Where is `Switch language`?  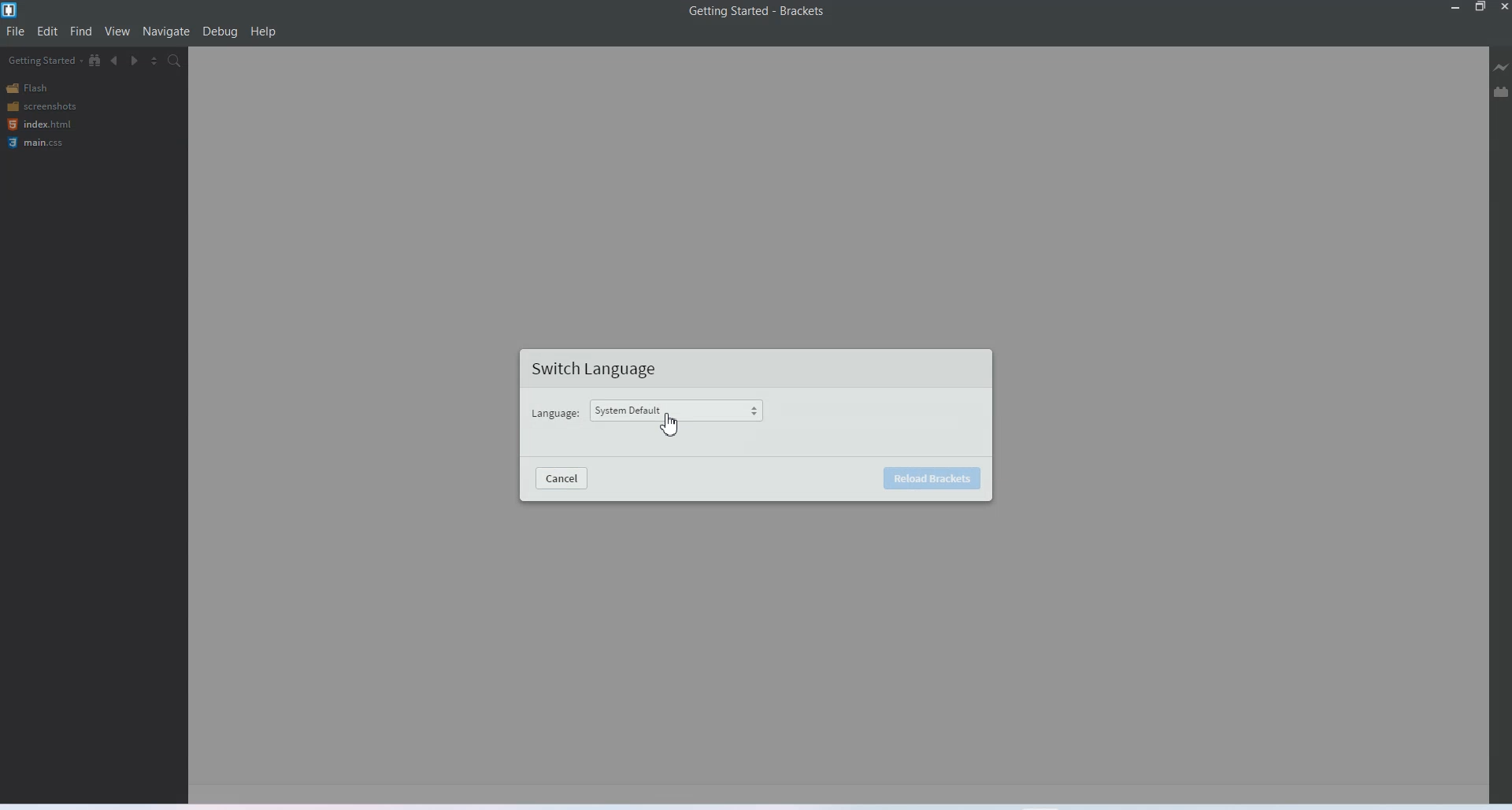
Switch language is located at coordinates (601, 369).